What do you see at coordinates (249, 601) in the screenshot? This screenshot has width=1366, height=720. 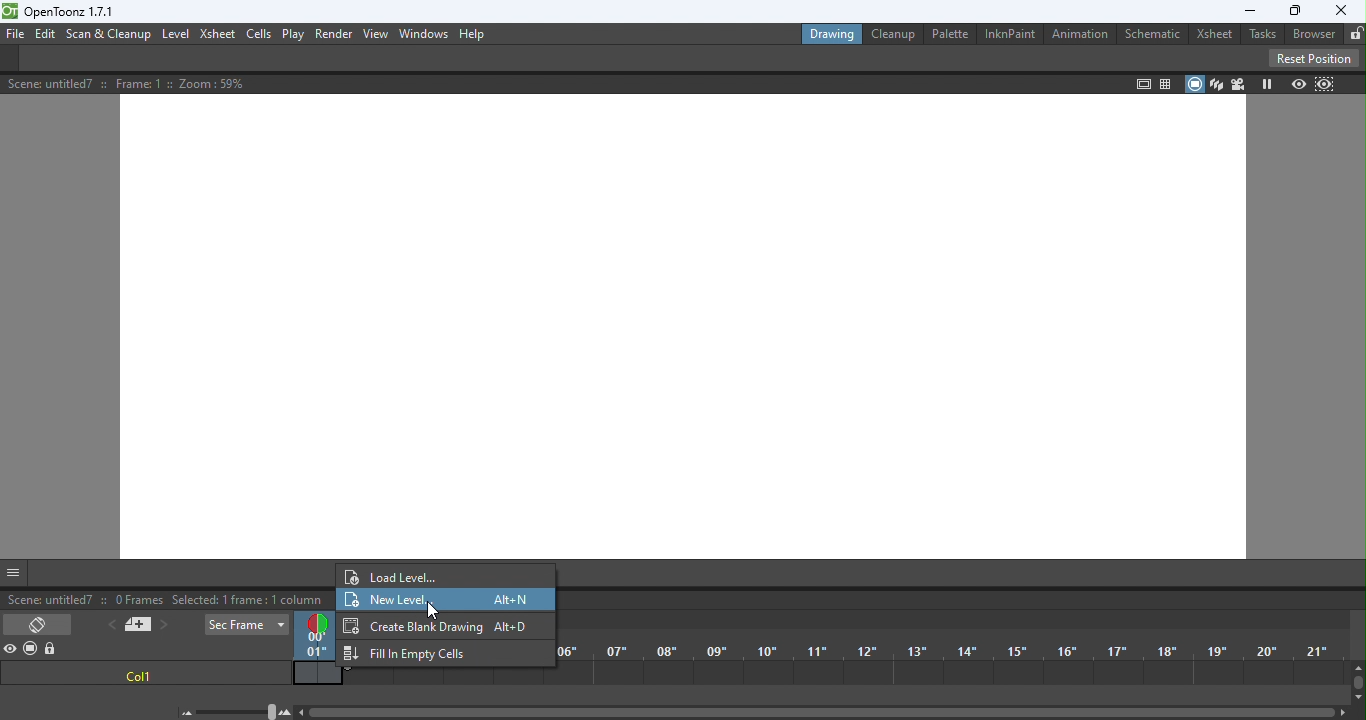 I see `selected: 1 frame: a column` at bounding box center [249, 601].